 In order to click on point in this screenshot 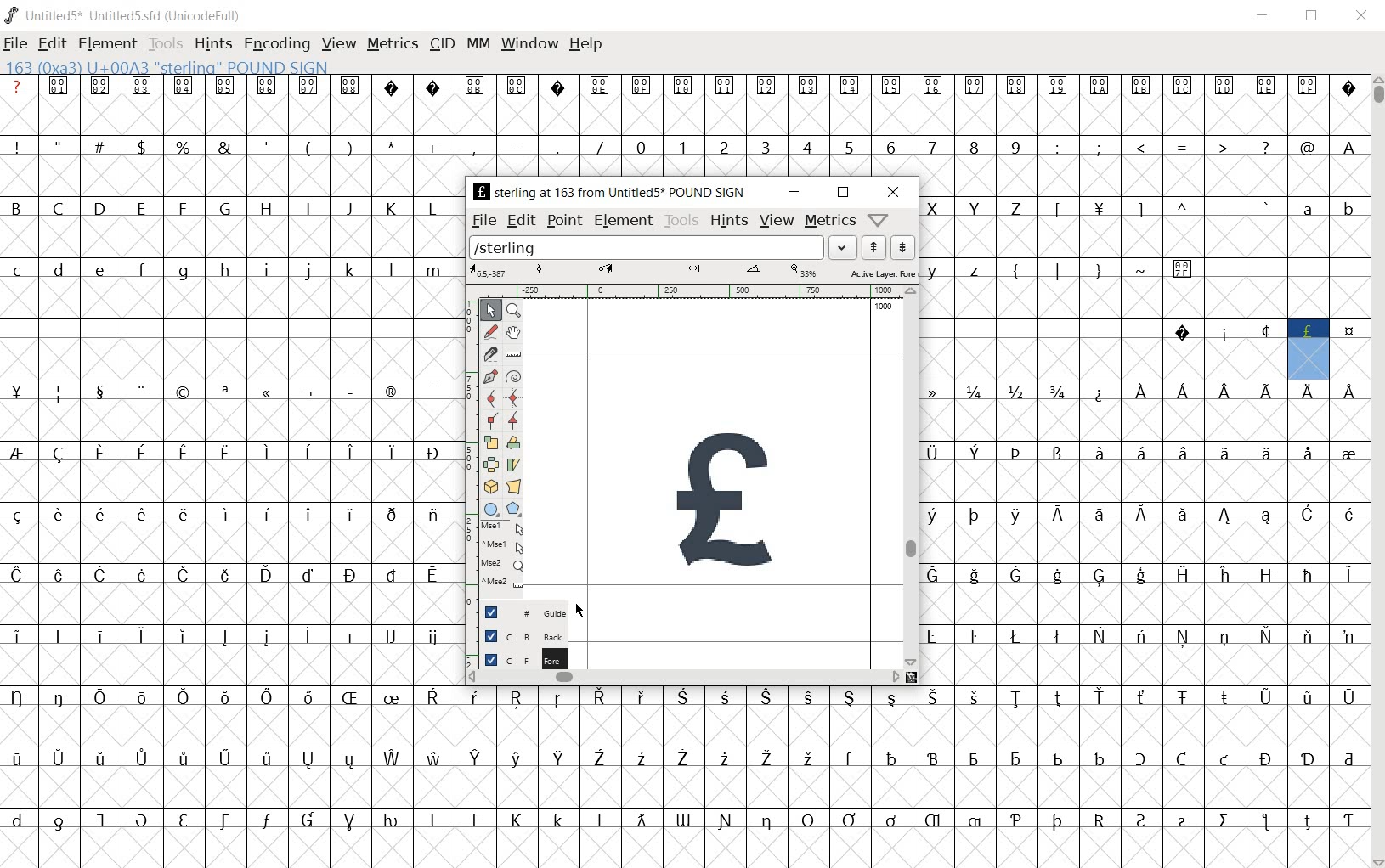, I will do `click(564, 220)`.